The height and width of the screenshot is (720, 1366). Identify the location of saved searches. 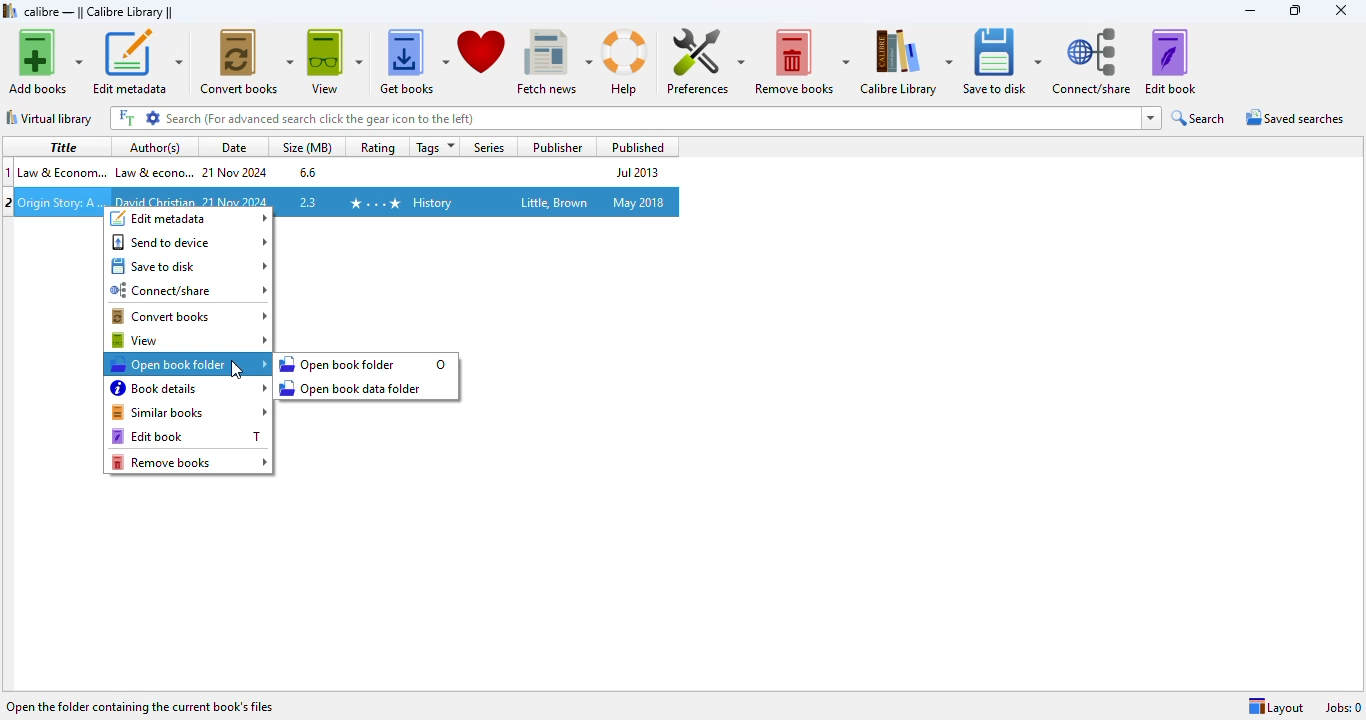
(1293, 118).